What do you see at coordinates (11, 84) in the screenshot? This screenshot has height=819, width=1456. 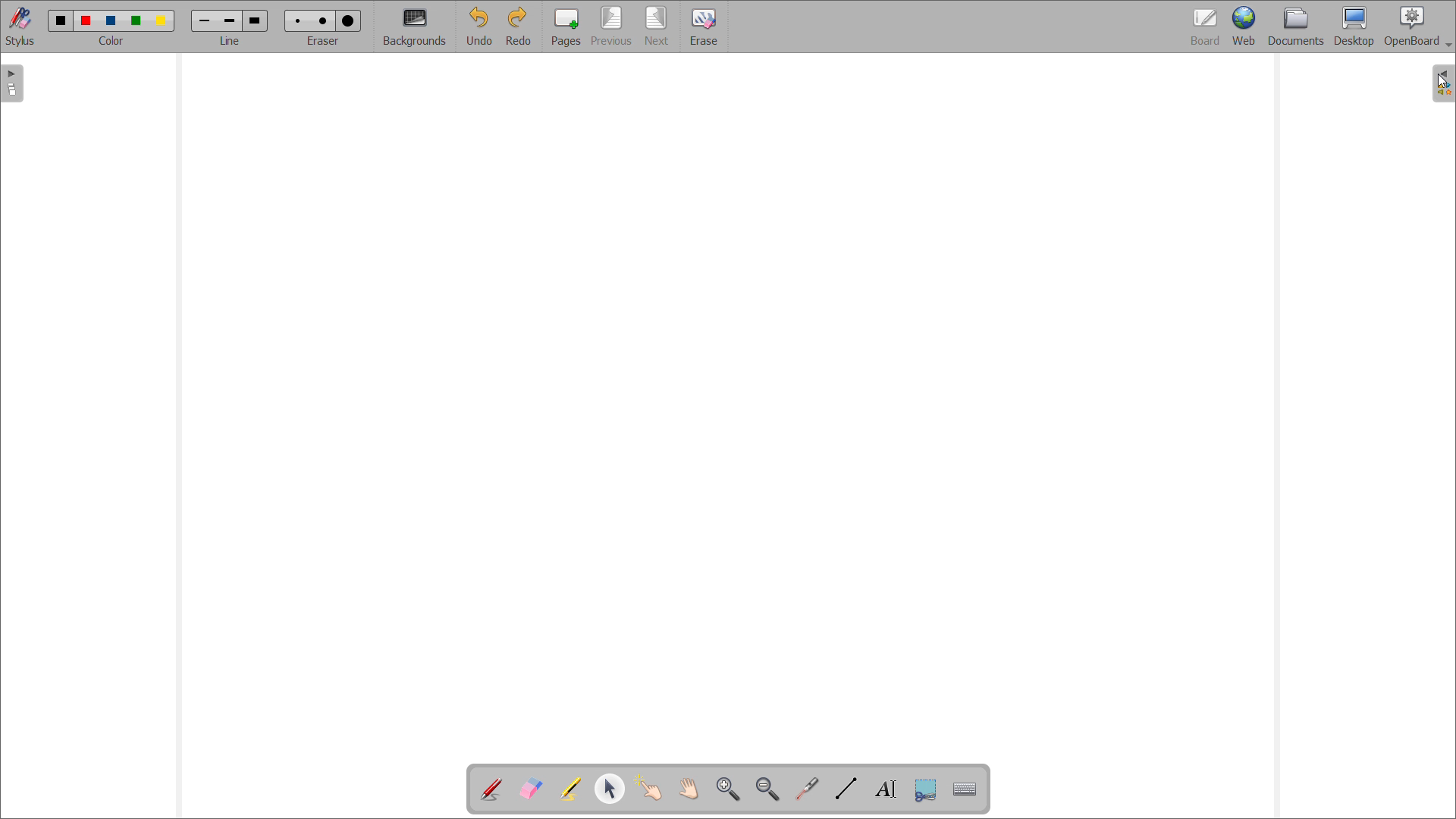 I see `open pages view` at bounding box center [11, 84].